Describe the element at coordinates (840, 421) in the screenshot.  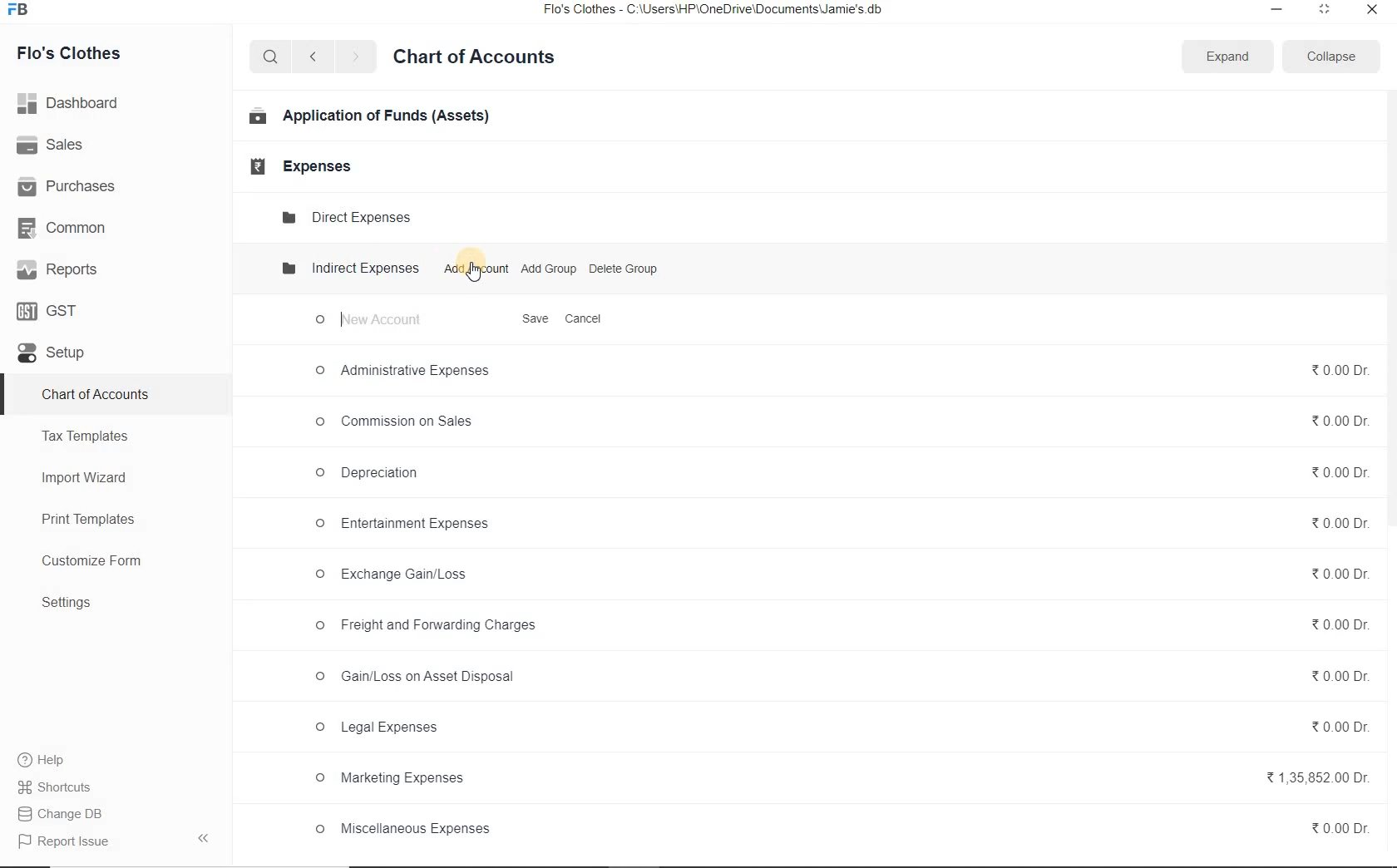
I see `oO Commission on Sales % 0.00 Dr.` at that location.